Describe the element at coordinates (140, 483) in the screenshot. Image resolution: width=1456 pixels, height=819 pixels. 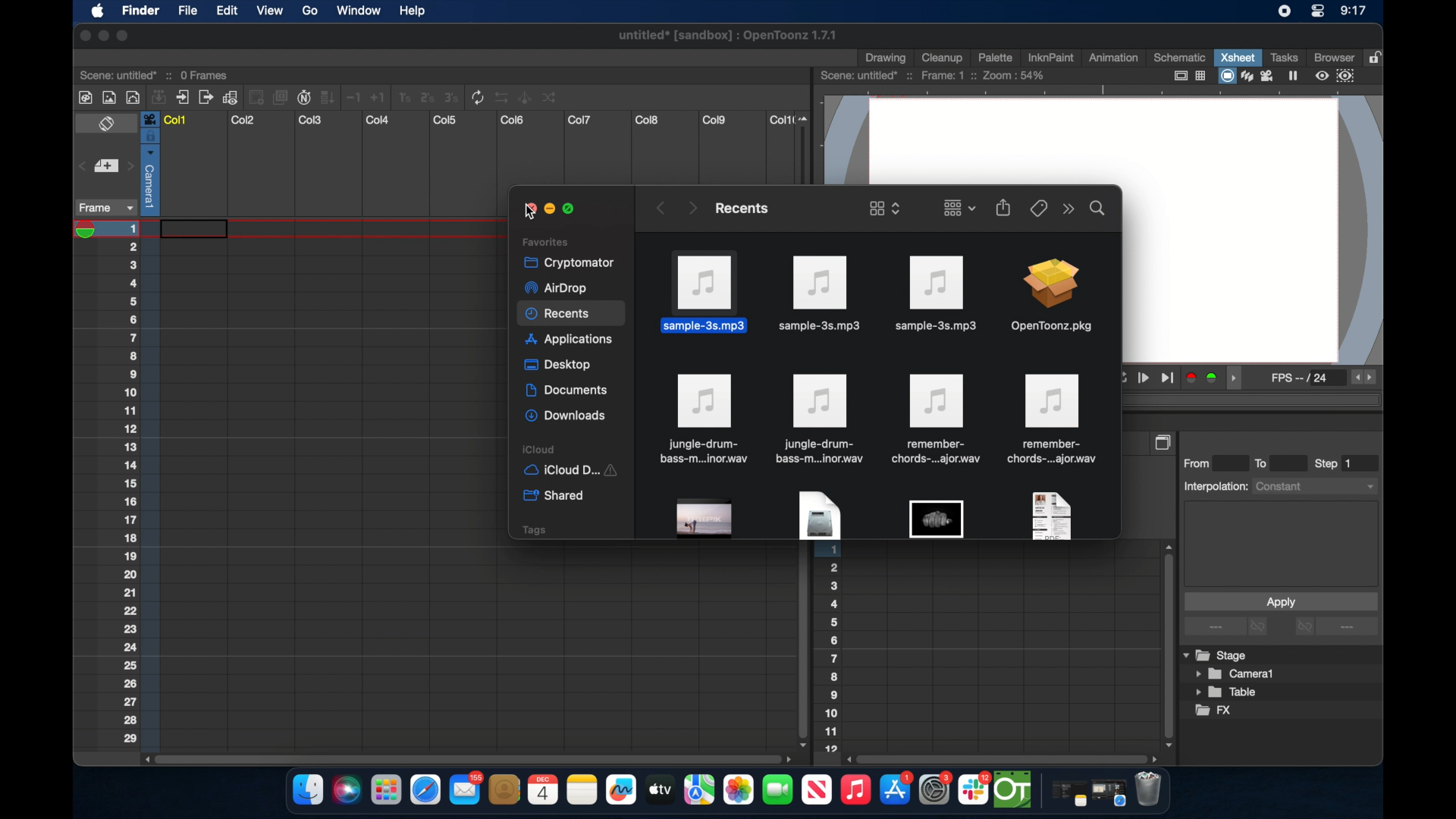
I see `numbering` at that location.